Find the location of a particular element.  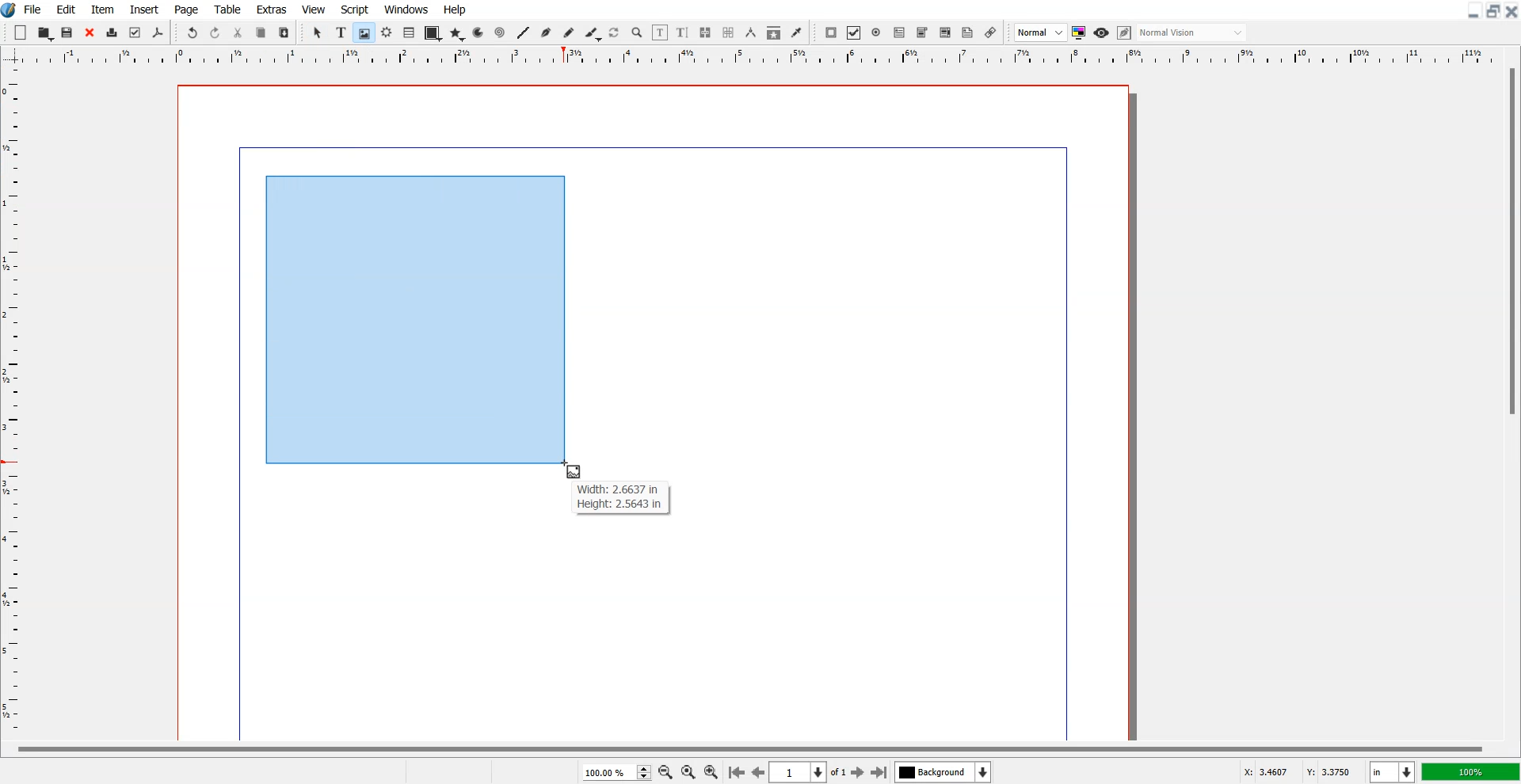

Select the visual appearance is located at coordinates (1193, 33).